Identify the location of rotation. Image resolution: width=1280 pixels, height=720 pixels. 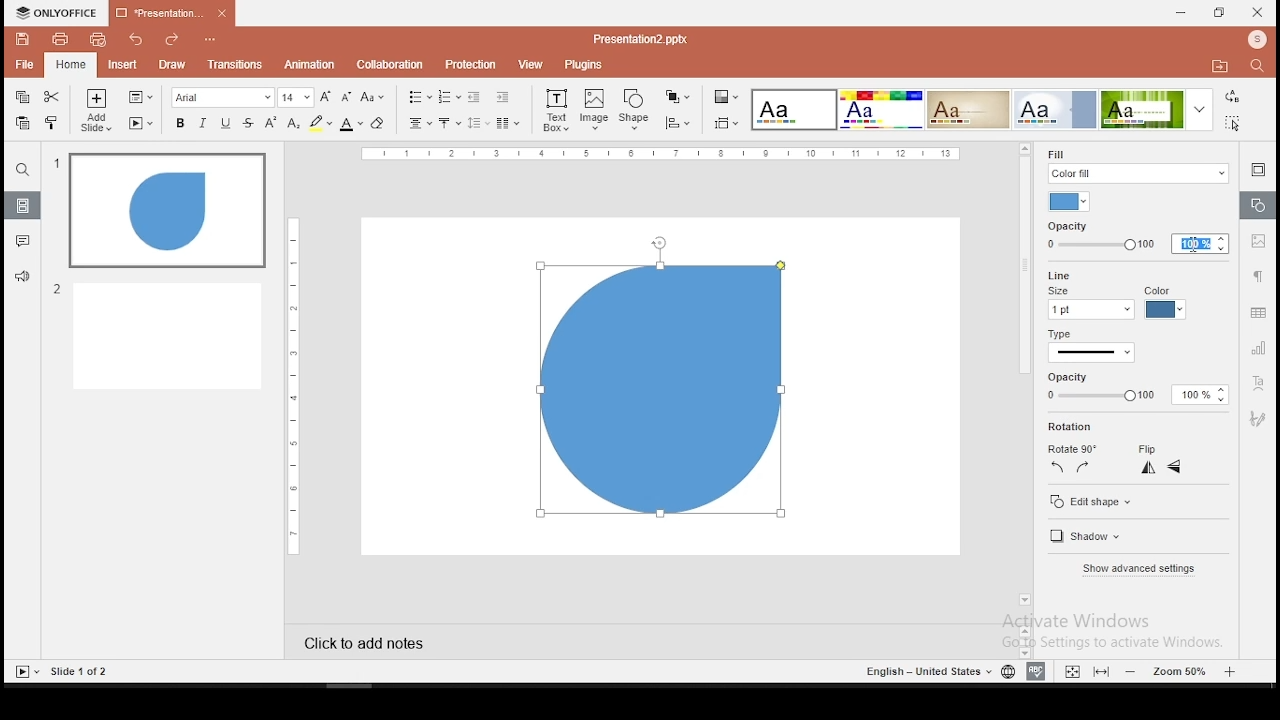
(1073, 427).